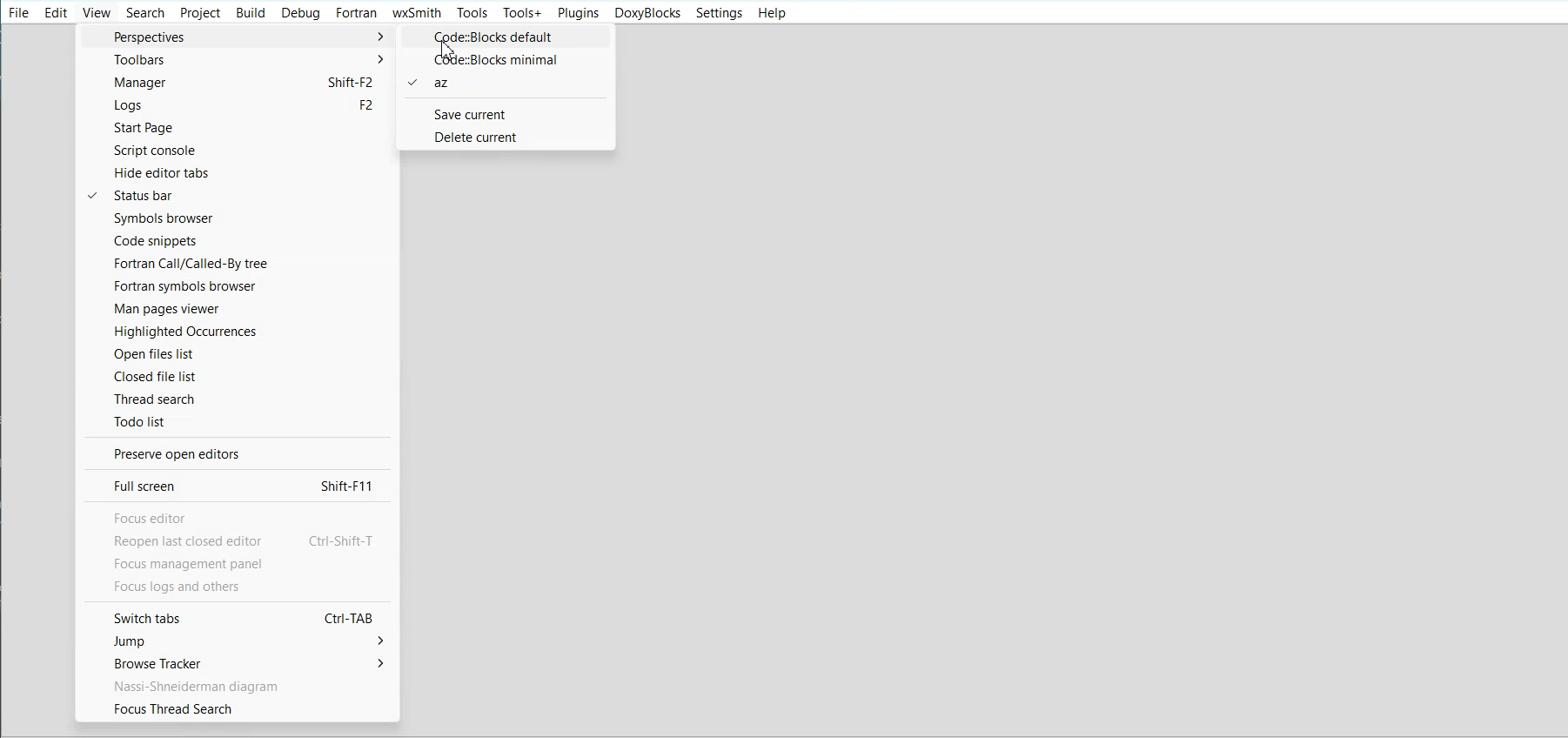 This screenshot has height=738, width=1568. I want to click on Status bar, so click(239, 195).